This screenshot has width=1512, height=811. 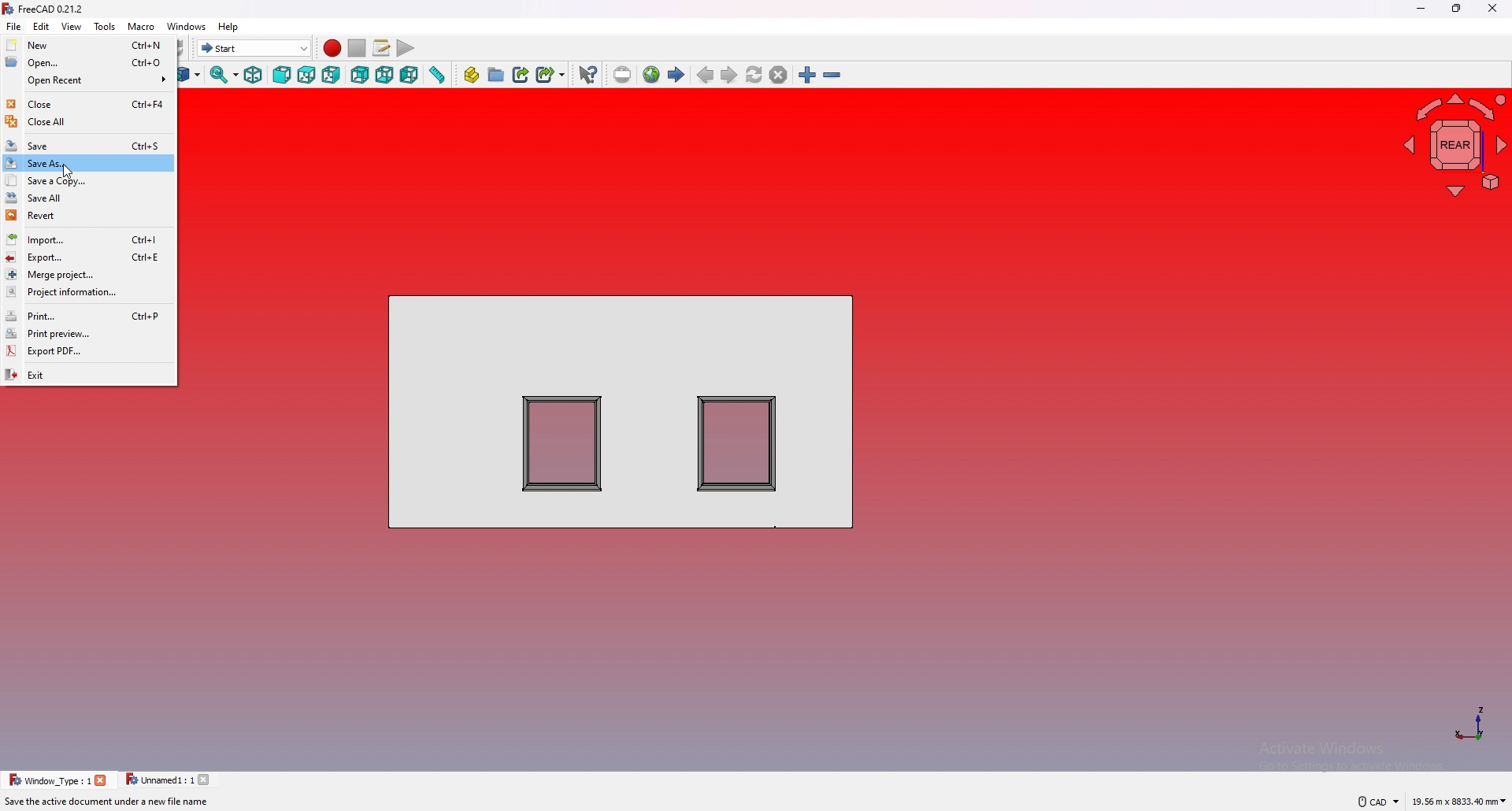 What do you see at coordinates (89, 334) in the screenshot?
I see `print preview` at bounding box center [89, 334].